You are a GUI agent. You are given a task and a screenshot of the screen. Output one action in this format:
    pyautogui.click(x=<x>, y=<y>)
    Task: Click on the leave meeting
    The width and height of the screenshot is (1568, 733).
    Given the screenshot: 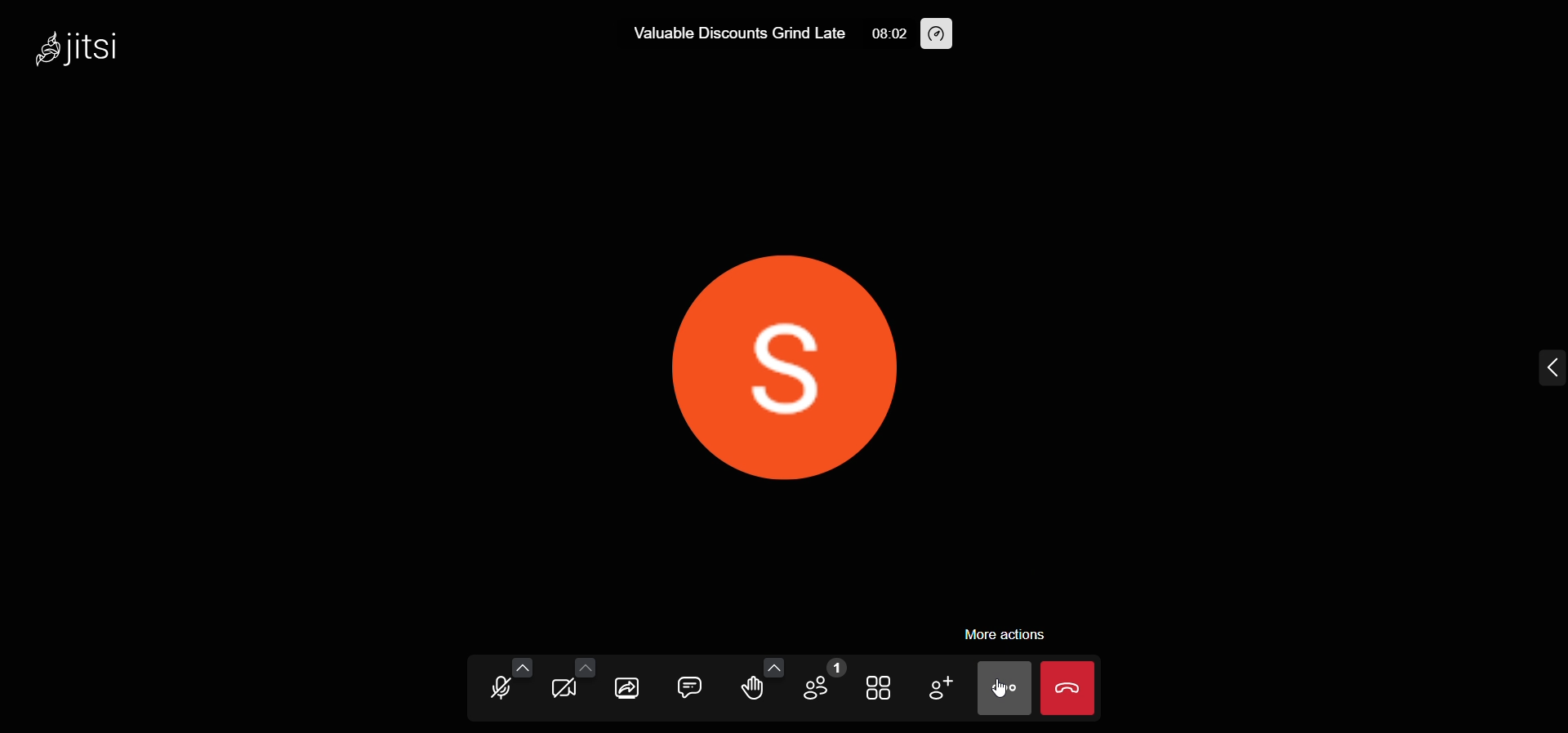 What is the action you would take?
    pyautogui.click(x=1073, y=691)
    